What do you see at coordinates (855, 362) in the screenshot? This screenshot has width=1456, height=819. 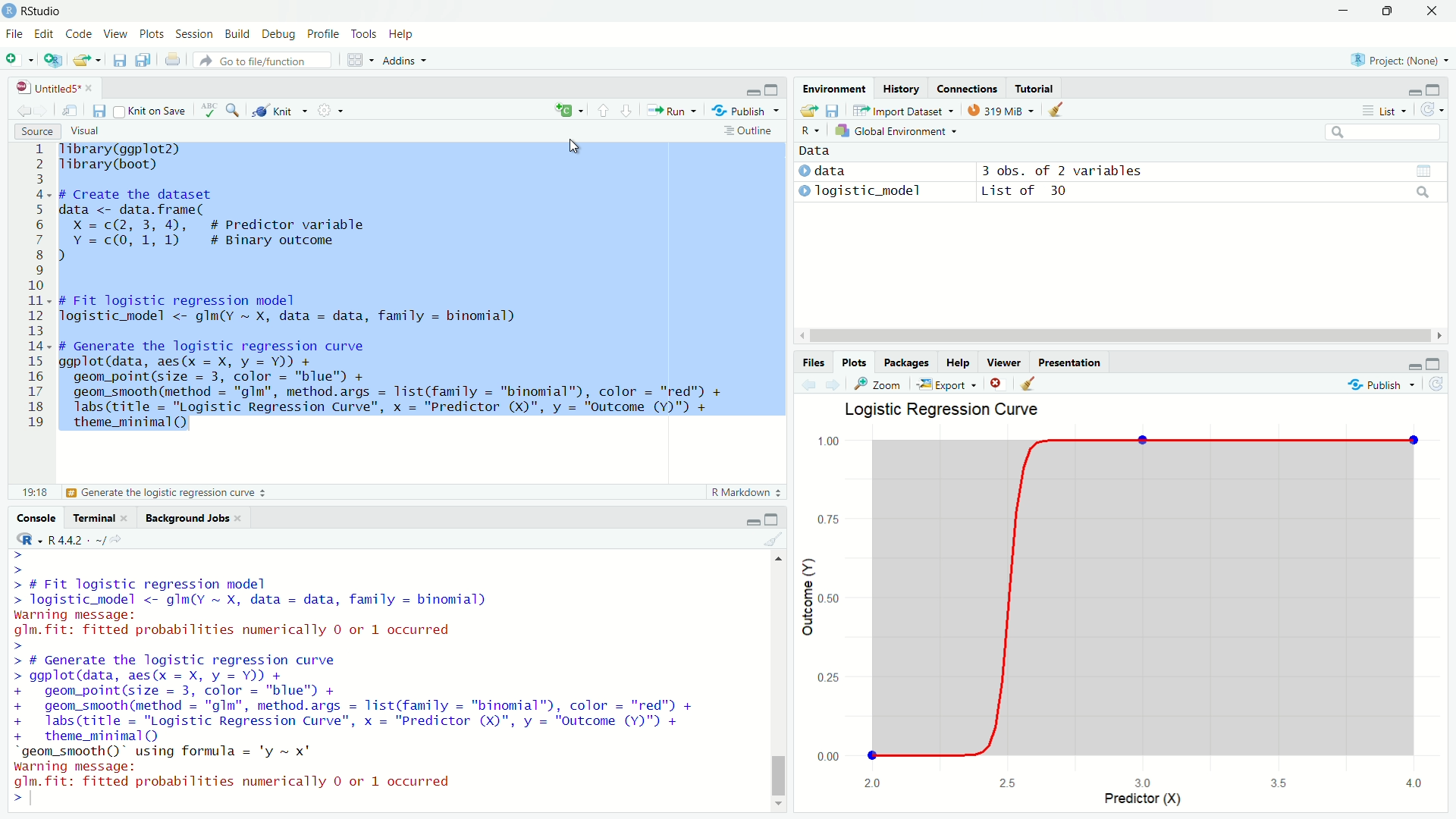 I see `Plots` at bounding box center [855, 362].